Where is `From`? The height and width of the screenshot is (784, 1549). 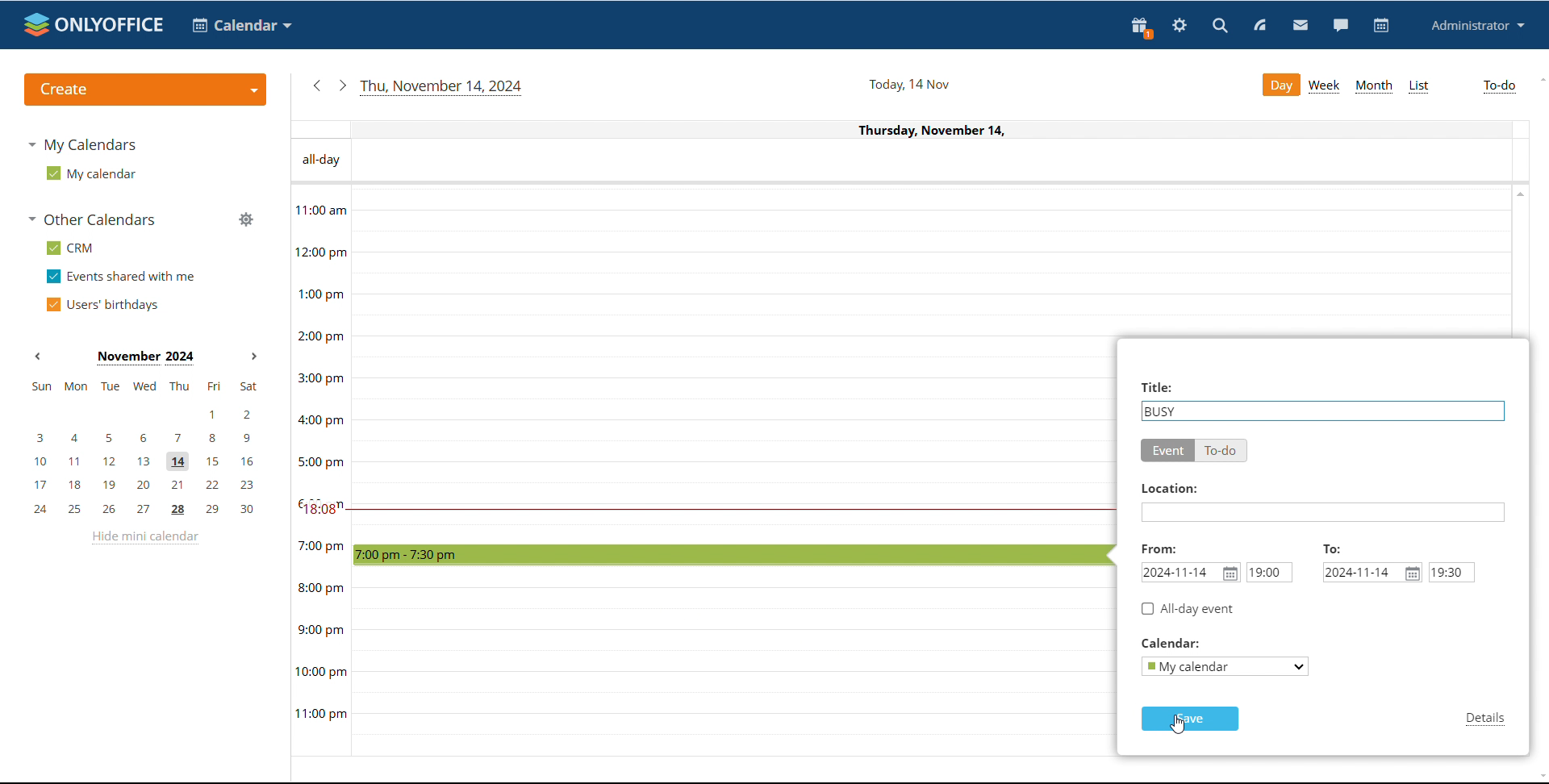
From is located at coordinates (1160, 548).